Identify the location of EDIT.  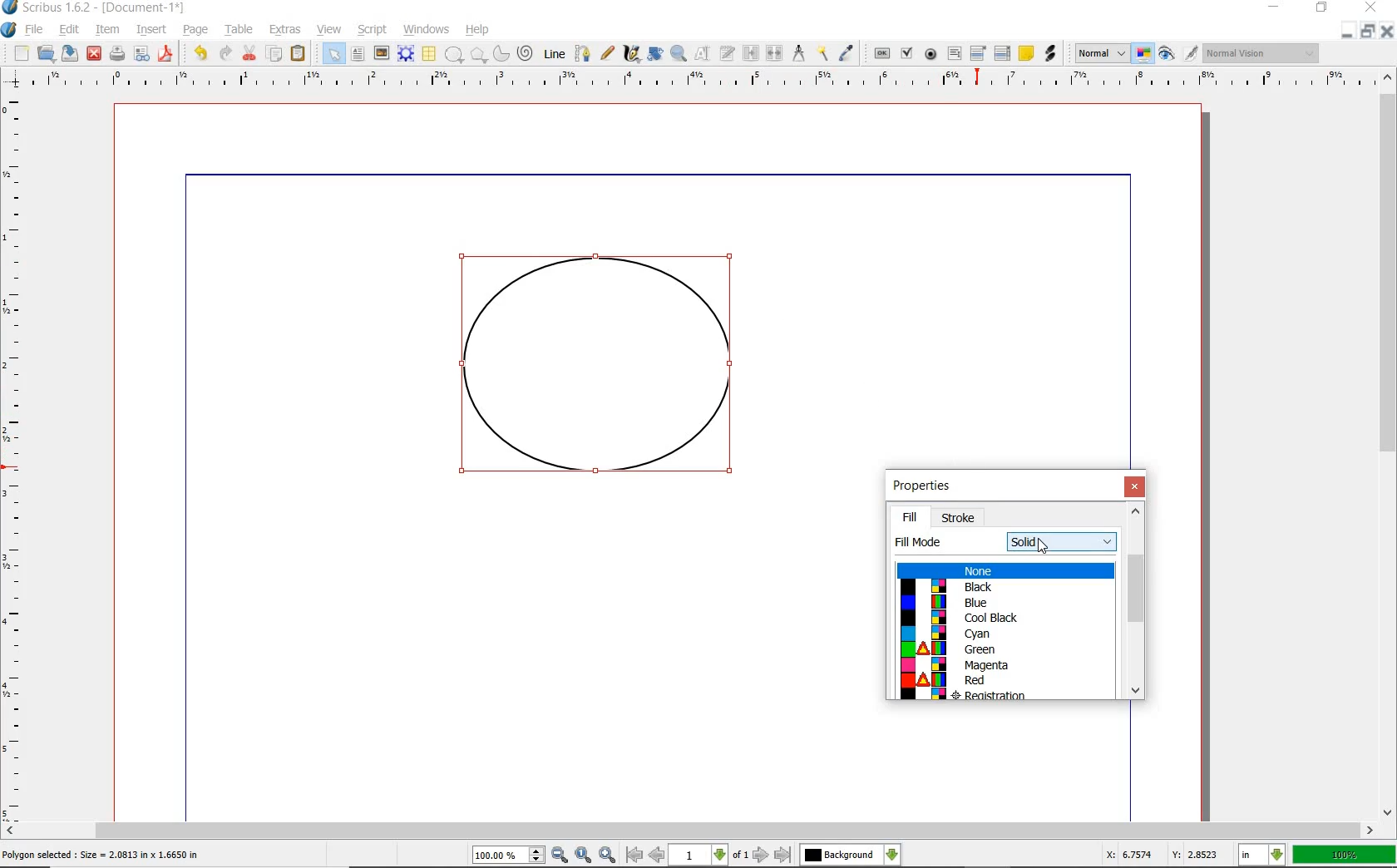
(68, 31).